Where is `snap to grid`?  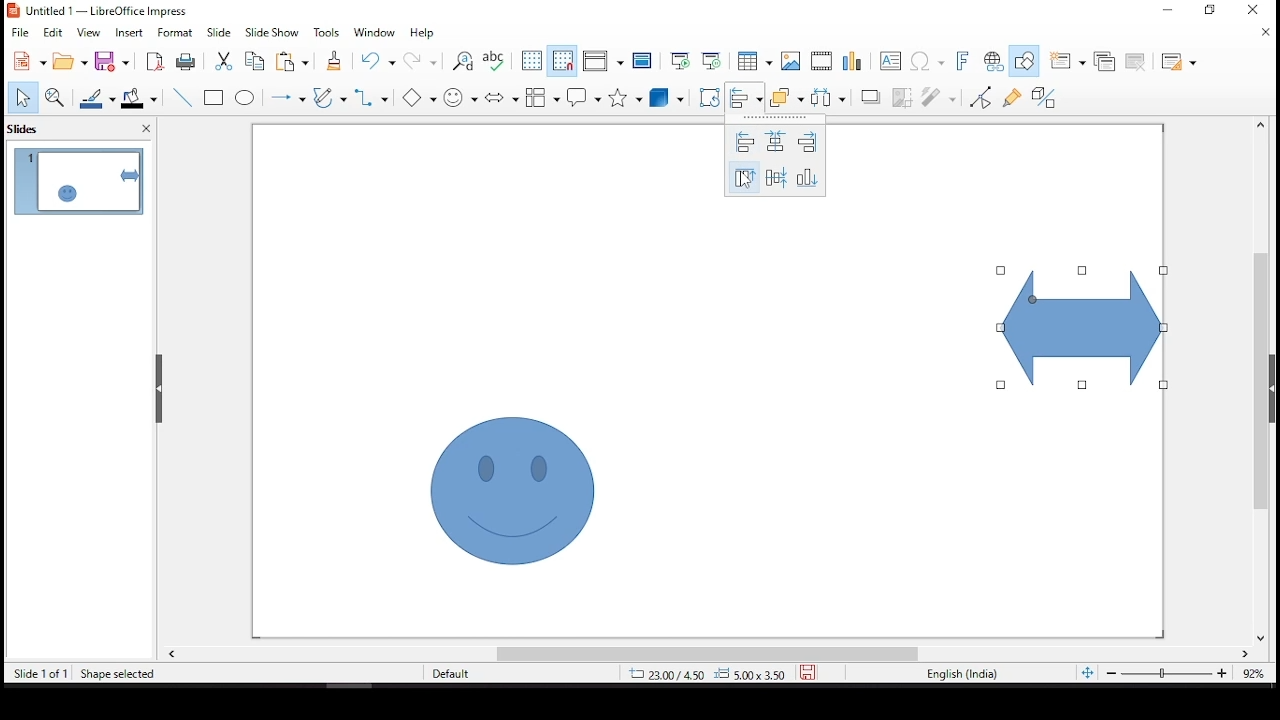 snap to grid is located at coordinates (563, 61).